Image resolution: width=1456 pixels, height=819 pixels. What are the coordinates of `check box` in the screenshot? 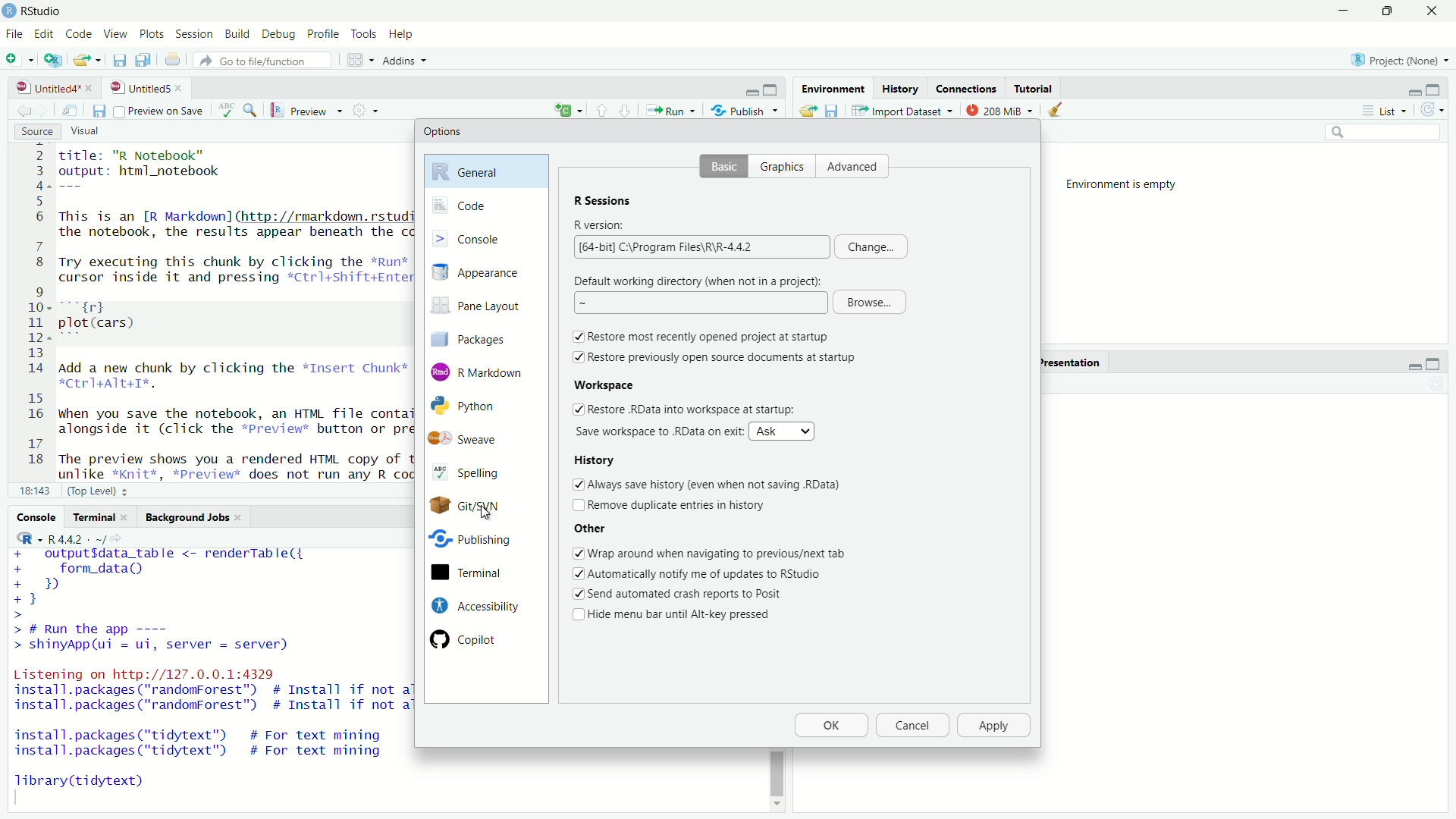 It's located at (575, 595).